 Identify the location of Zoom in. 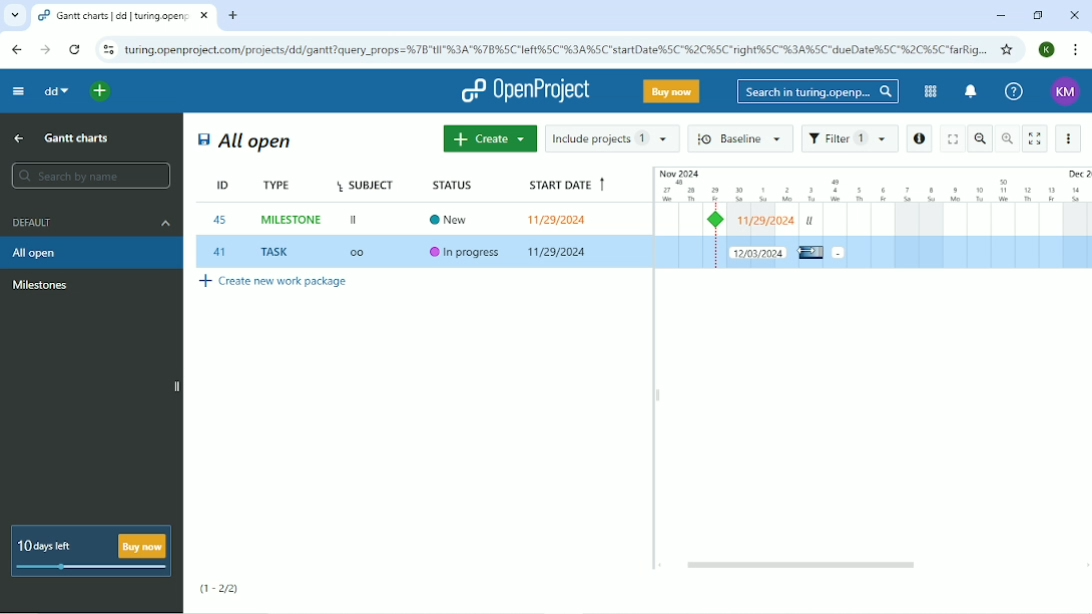
(1007, 138).